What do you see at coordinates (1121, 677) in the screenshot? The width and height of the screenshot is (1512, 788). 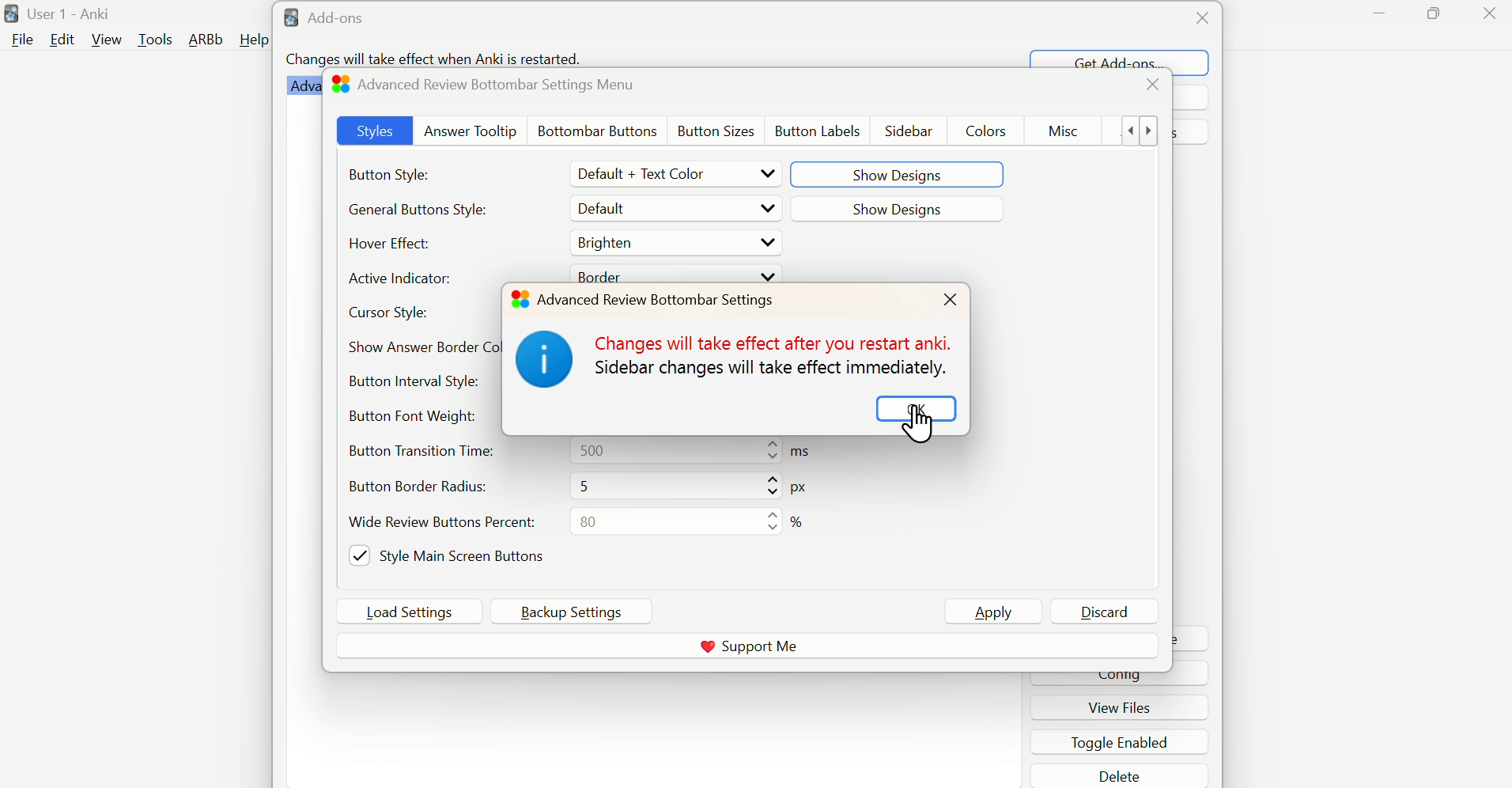 I see `cinfig` at bounding box center [1121, 677].